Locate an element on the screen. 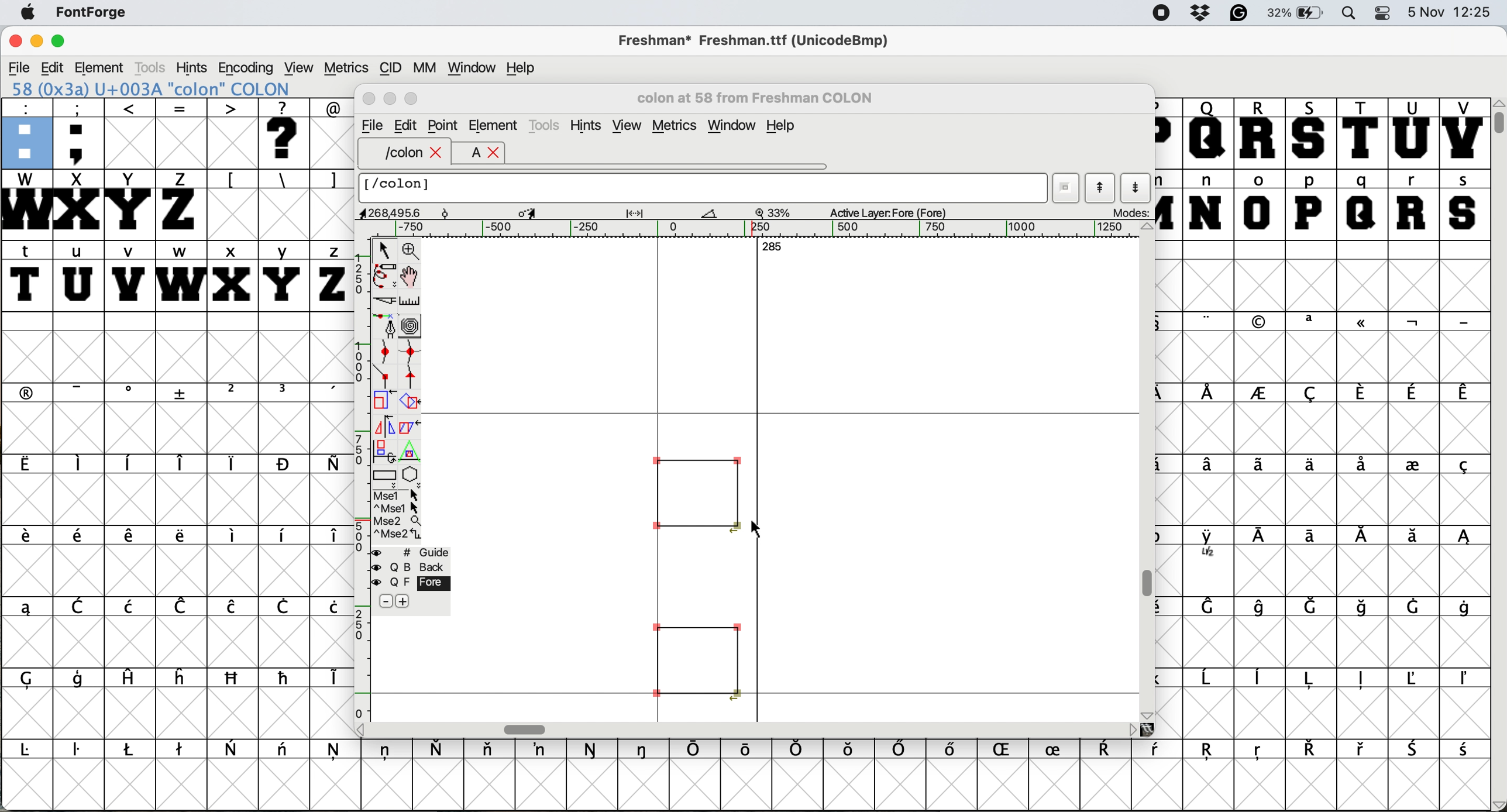  symbol is located at coordinates (330, 538).